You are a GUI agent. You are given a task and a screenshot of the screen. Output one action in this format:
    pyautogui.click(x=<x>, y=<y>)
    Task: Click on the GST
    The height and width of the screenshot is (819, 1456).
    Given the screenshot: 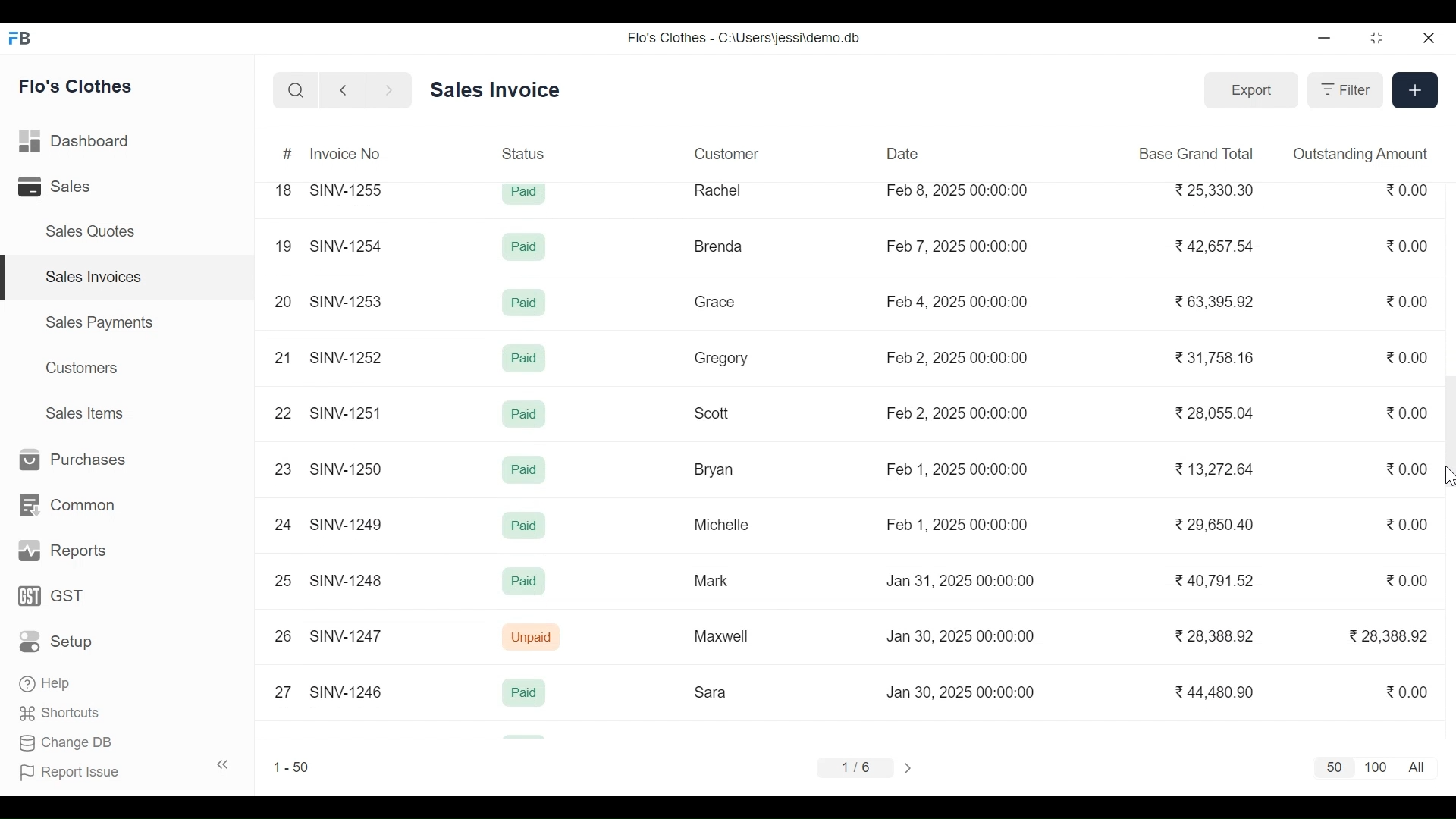 What is the action you would take?
    pyautogui.click(x=51, y=597)
    